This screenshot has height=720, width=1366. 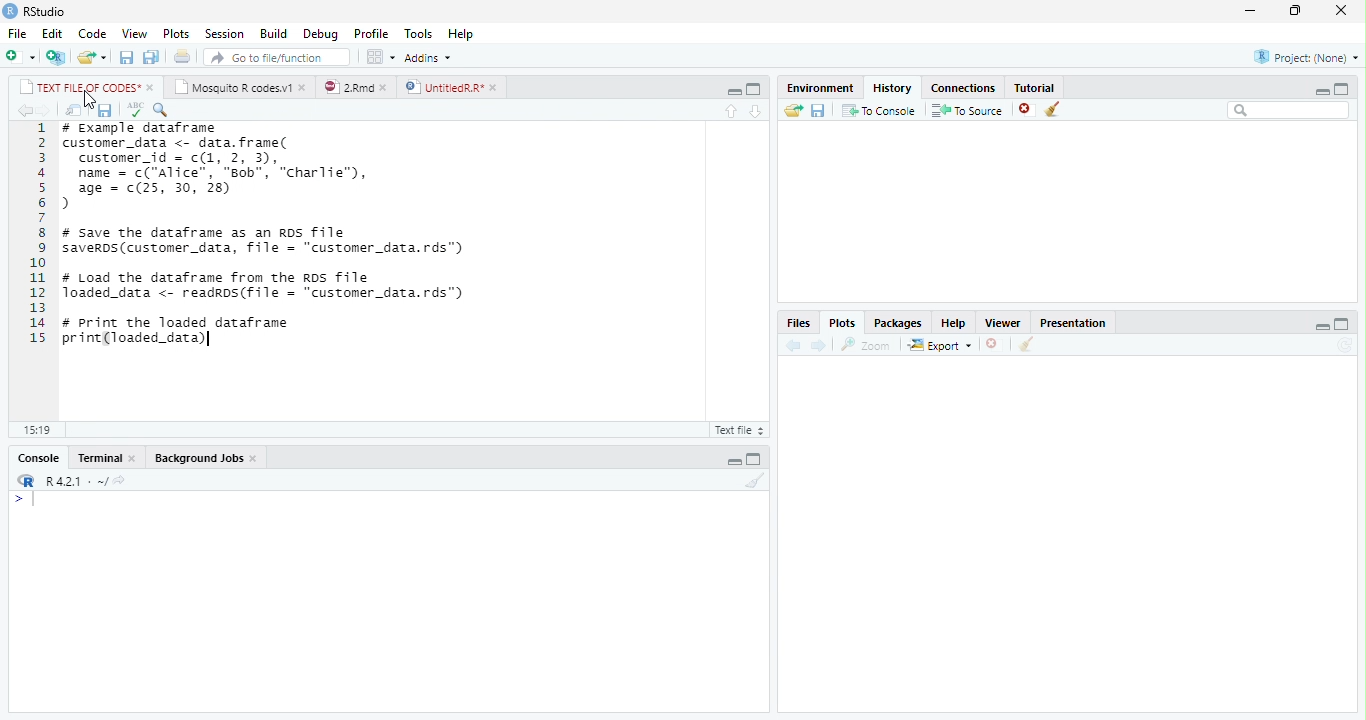 I want to click on refresh, so click(x=1345, y=345).